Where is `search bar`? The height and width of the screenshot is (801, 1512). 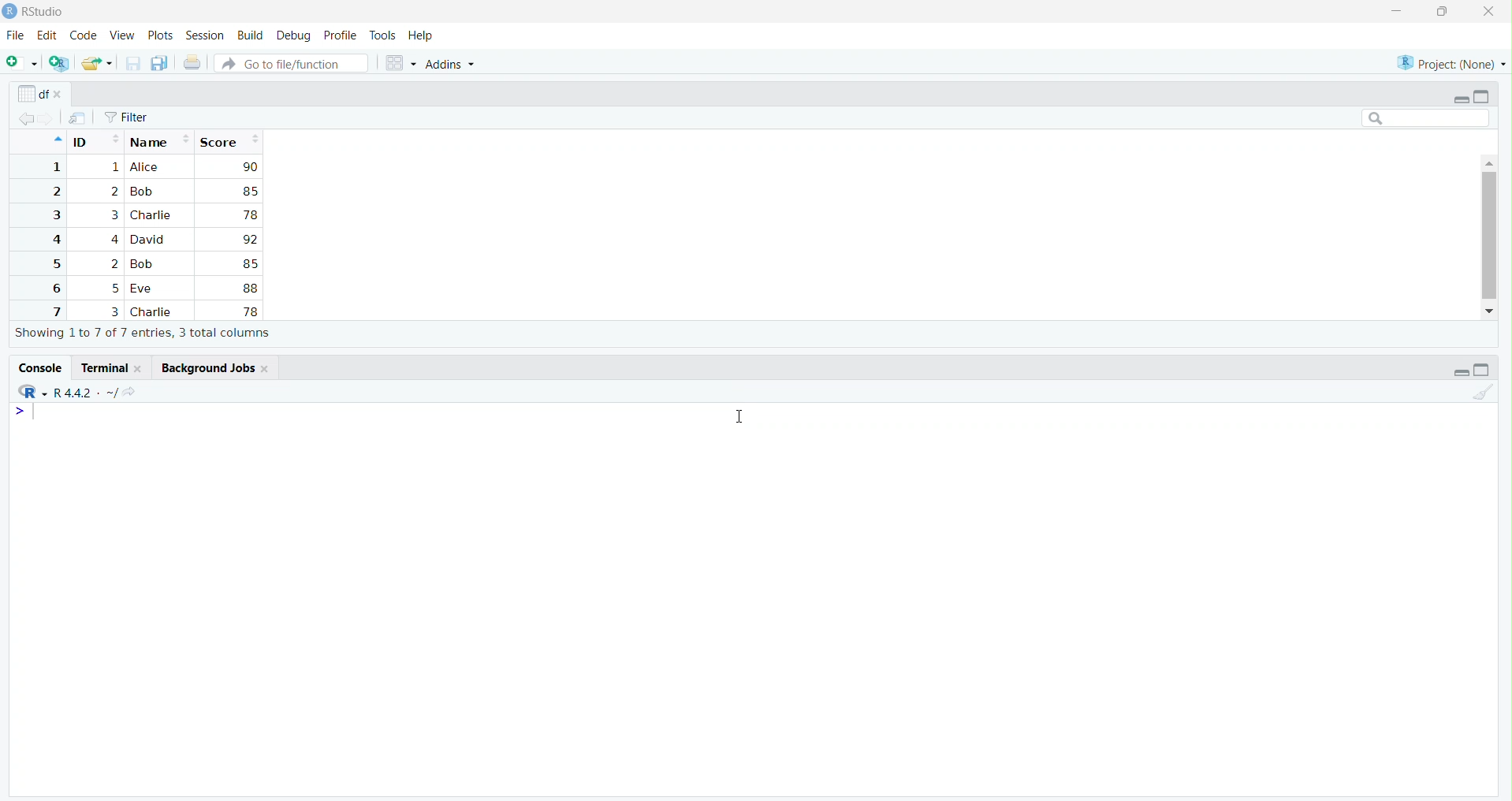 search bar is located at coordinates (1426, 117).